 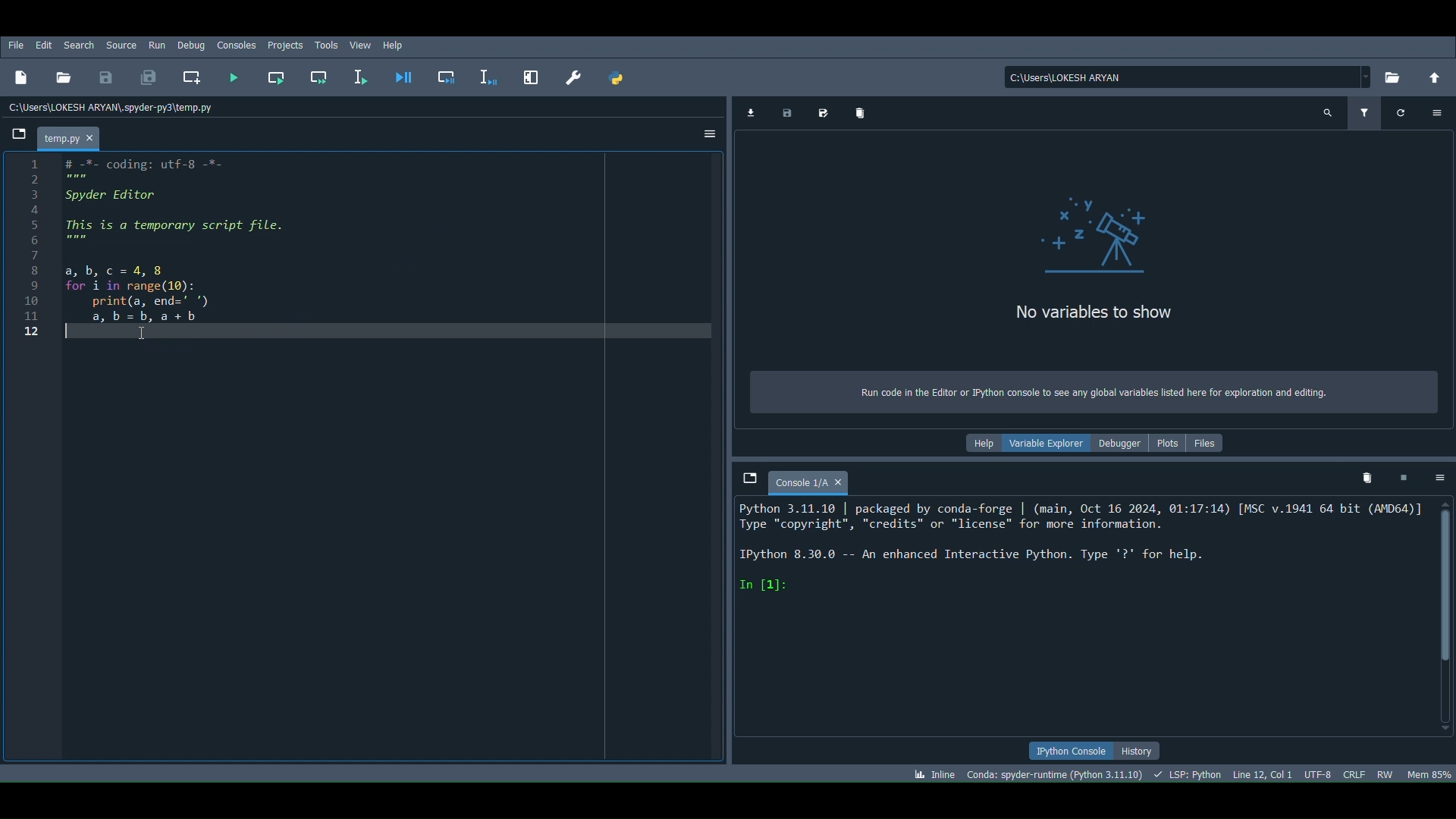 I want to click on Plots, so click(x=1169, y=442).